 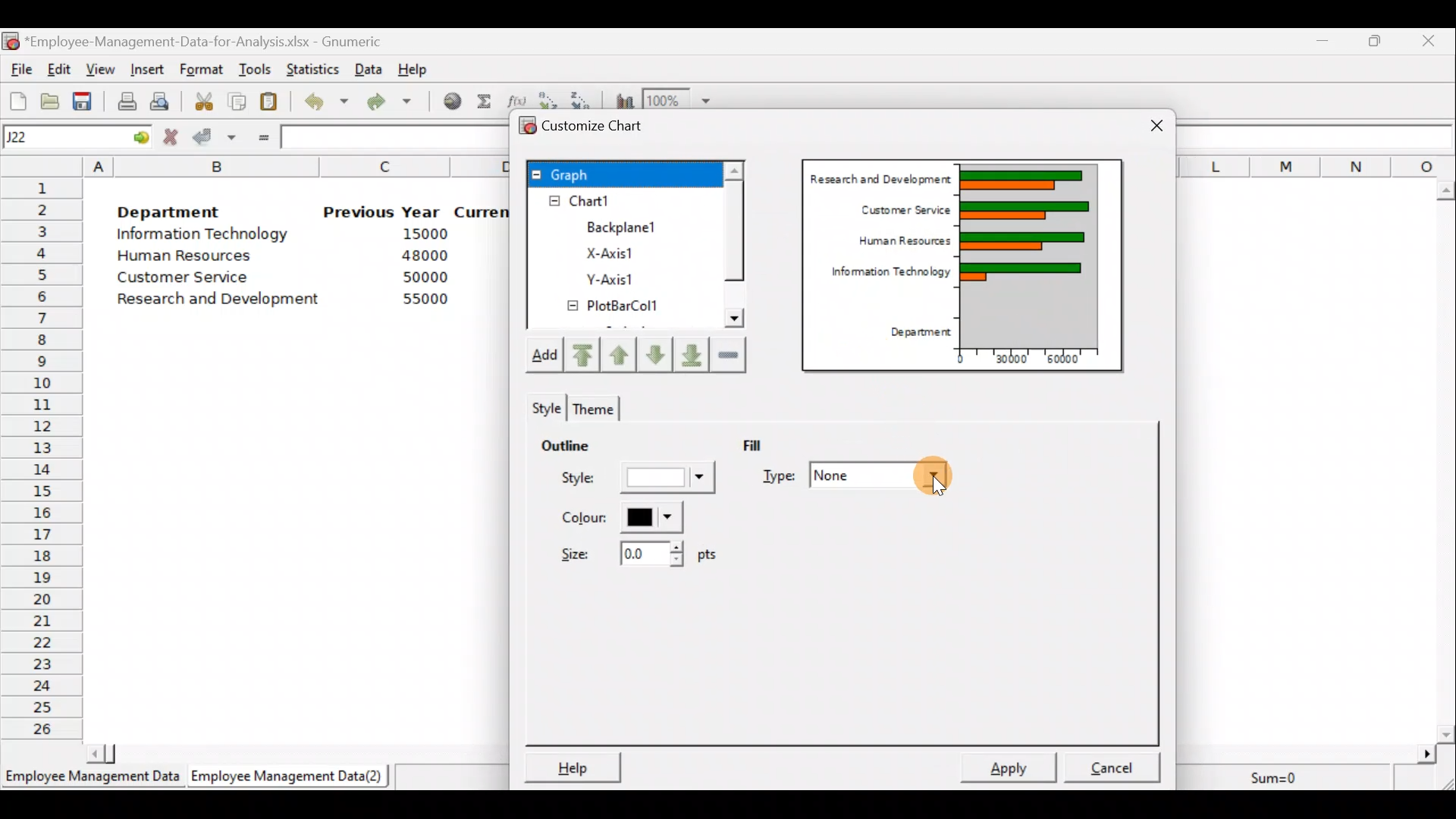 What do you see at coordinates (583, 98) in the screenshot?
I see `Sort in descending order` at bounding box center [583, 98].